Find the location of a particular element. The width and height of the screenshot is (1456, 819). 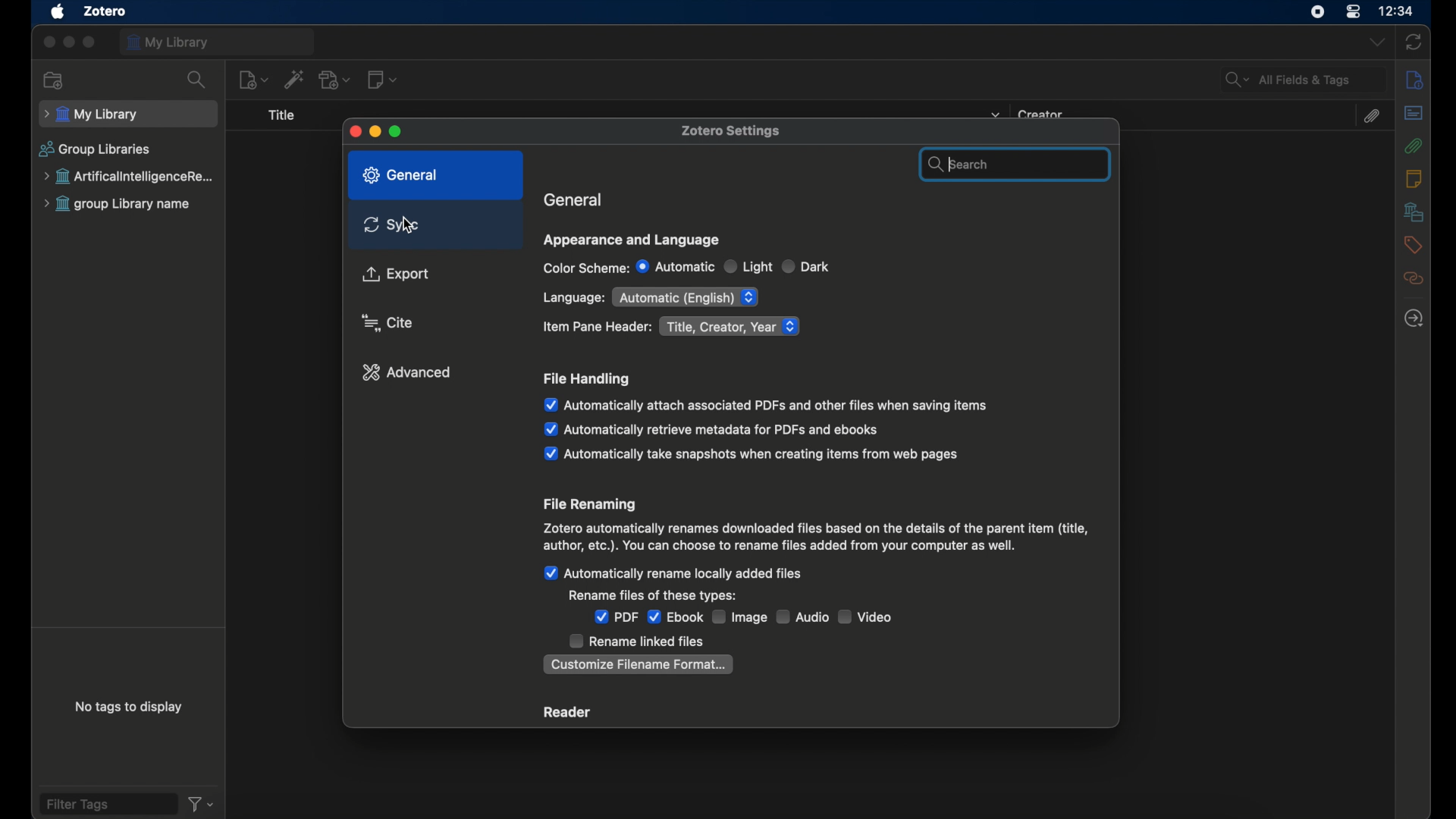

dropdown is located at coordinates (1375, 43).